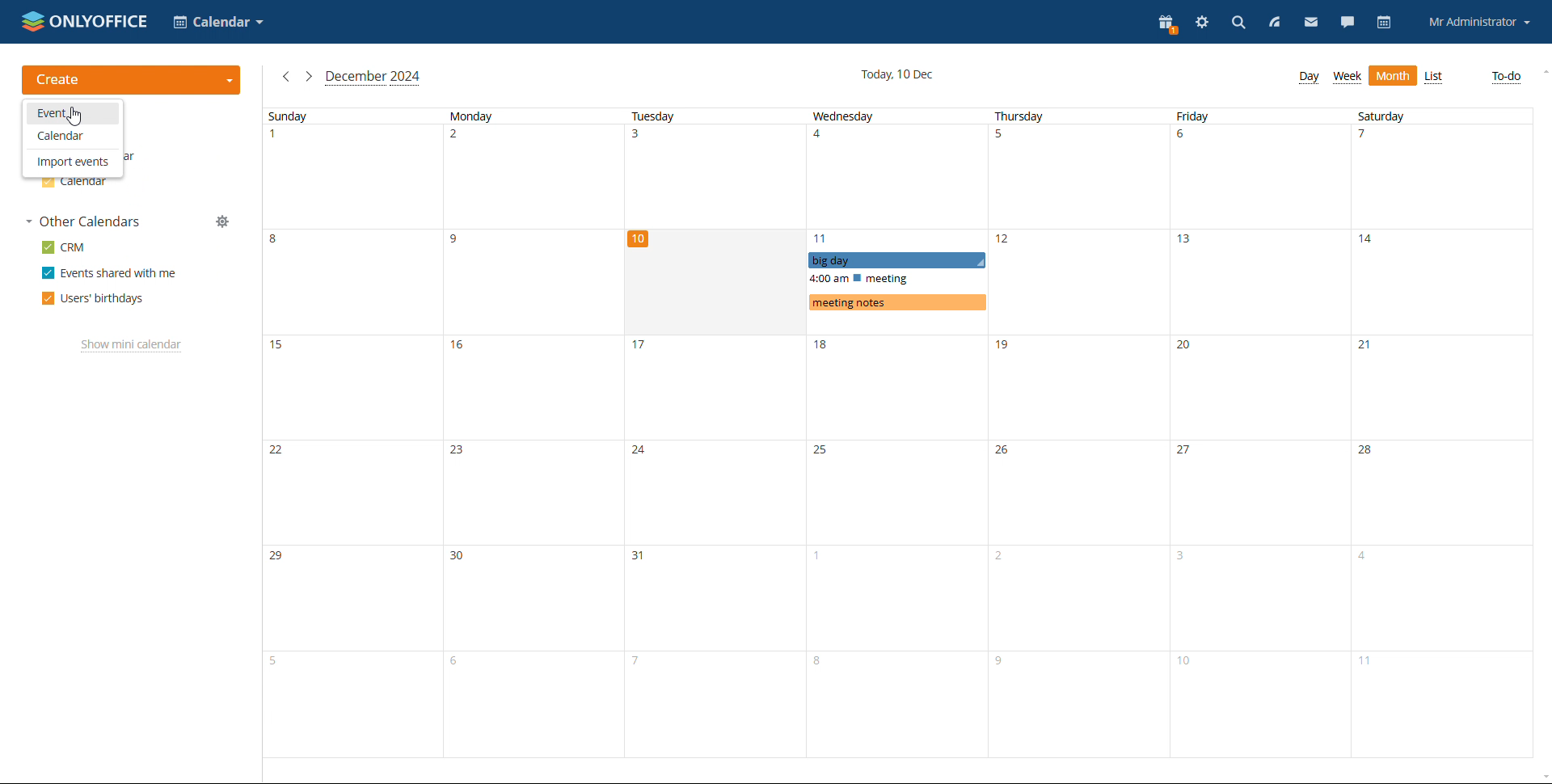  Describe the element at coordinates (1235, 23) in the screenshot. I see `search` at that location.